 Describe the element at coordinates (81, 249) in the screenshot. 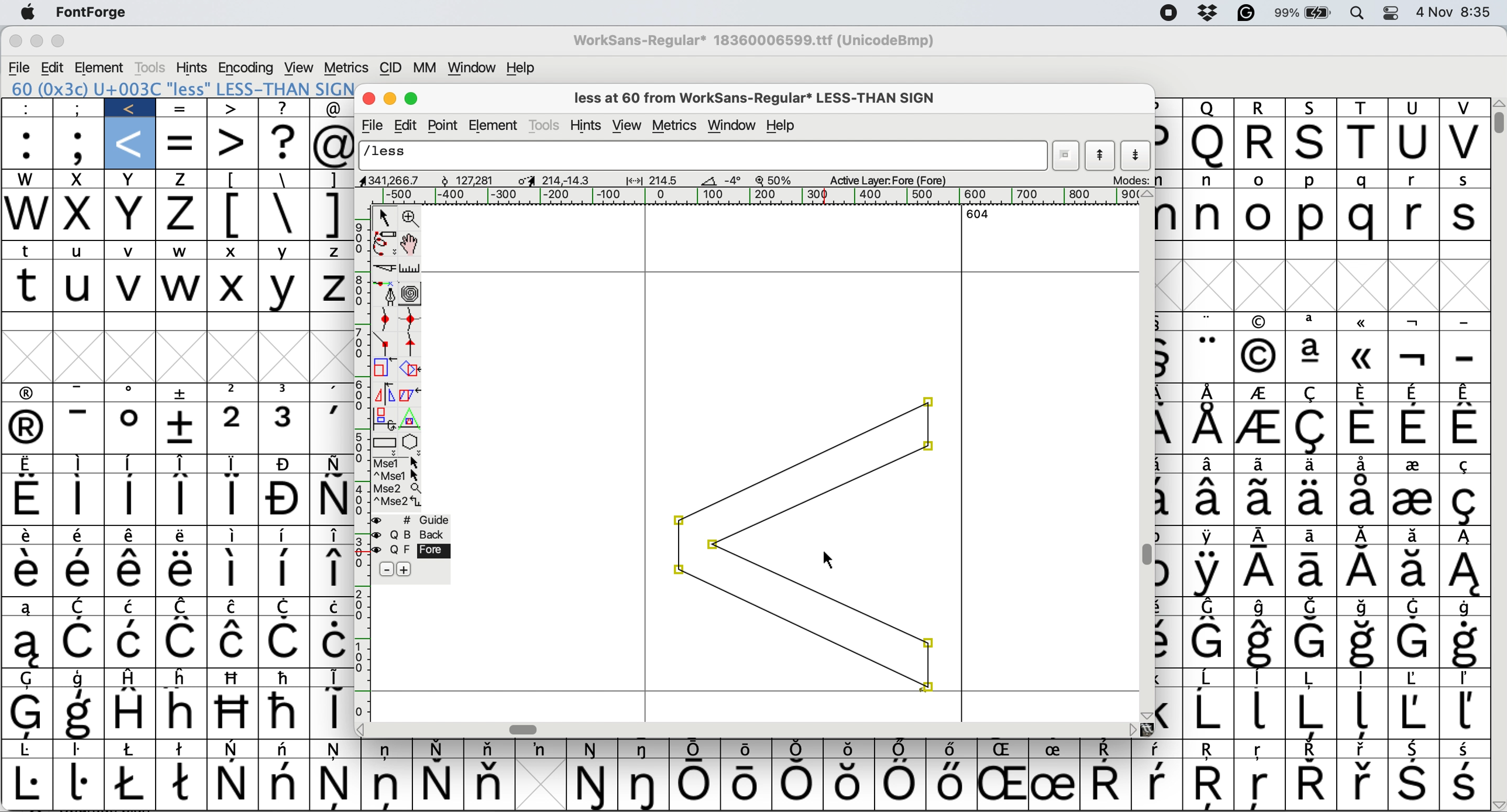

I see `u` at that location.